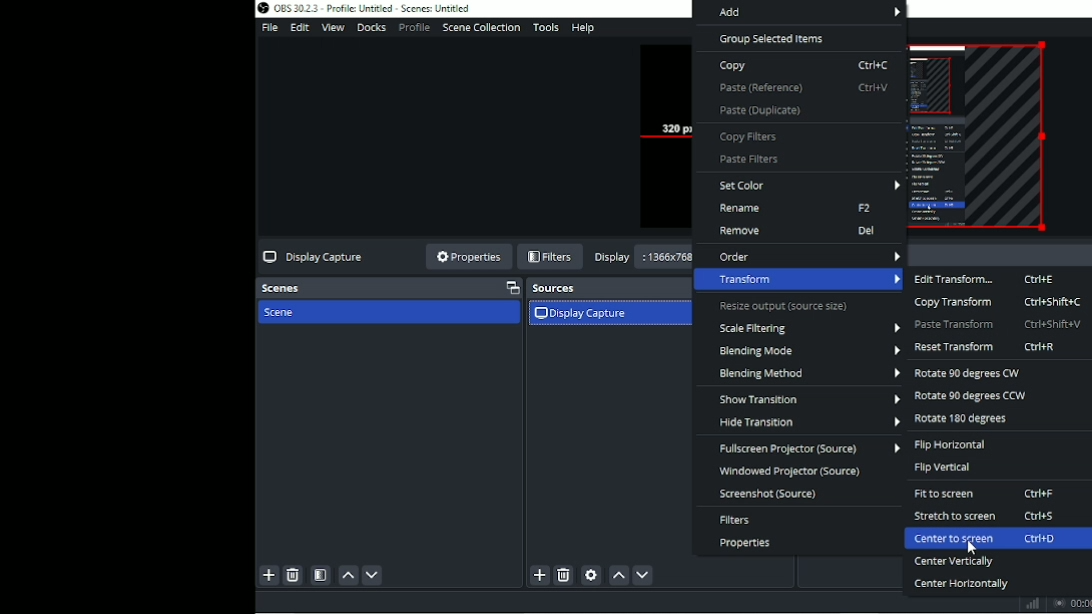  Describe the element at coordinates (333, 29) in the screenshot. I see `View` at that location.